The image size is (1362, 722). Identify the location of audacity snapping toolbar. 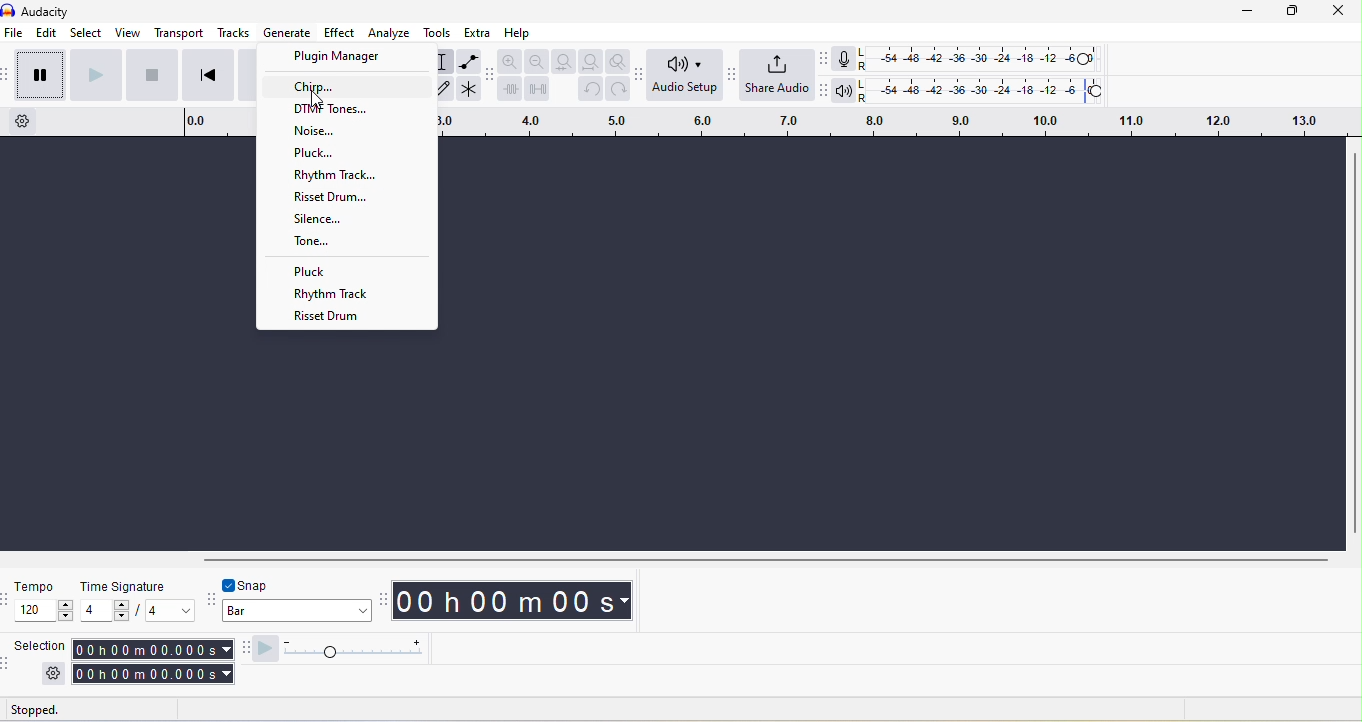
(213, 597).